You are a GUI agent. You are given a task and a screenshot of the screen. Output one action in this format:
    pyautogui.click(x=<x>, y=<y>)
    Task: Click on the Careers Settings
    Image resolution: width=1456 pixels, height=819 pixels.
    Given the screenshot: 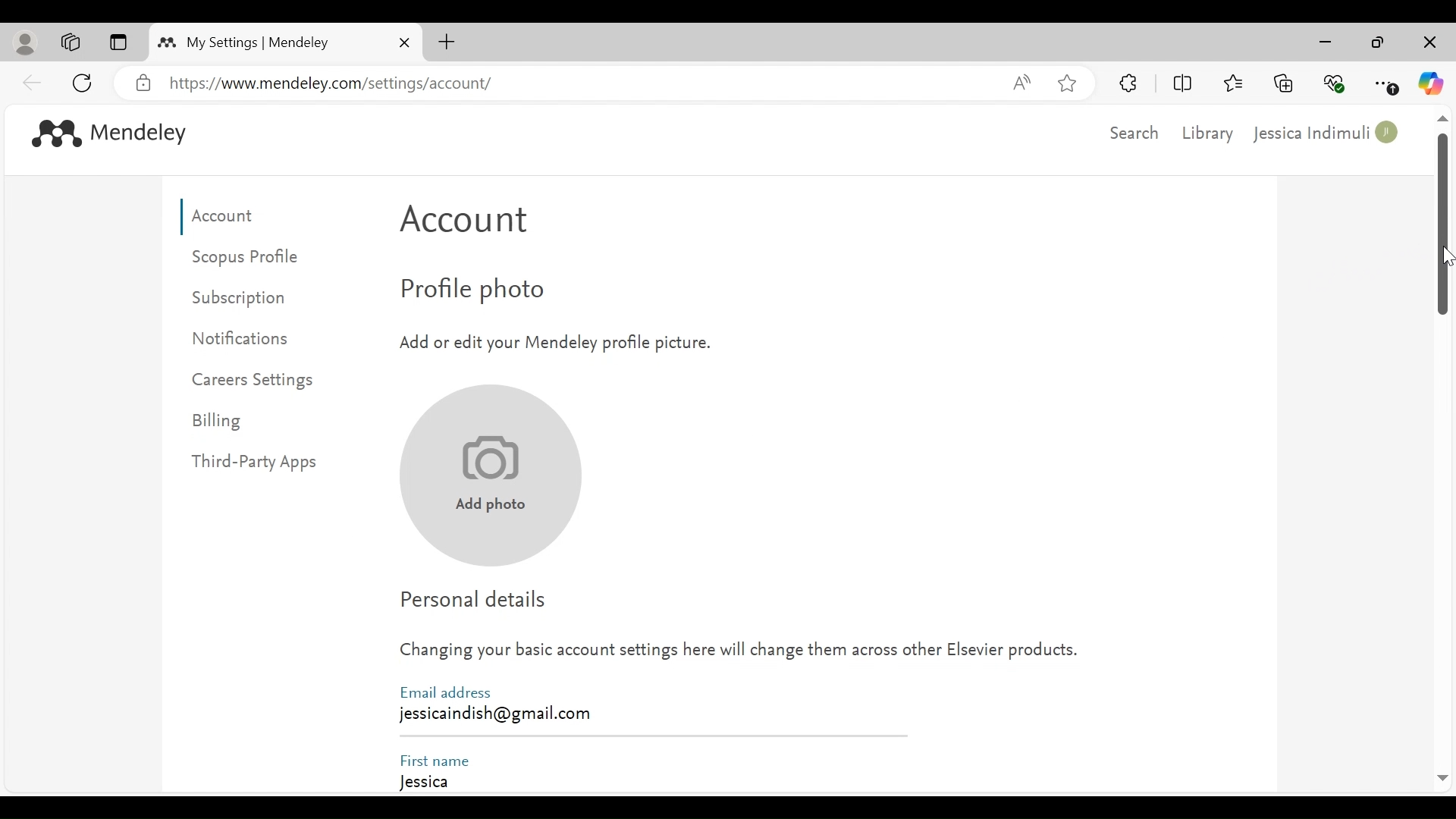 What is the action you would take?
    pyautogui.click(x=256, y=381)
    